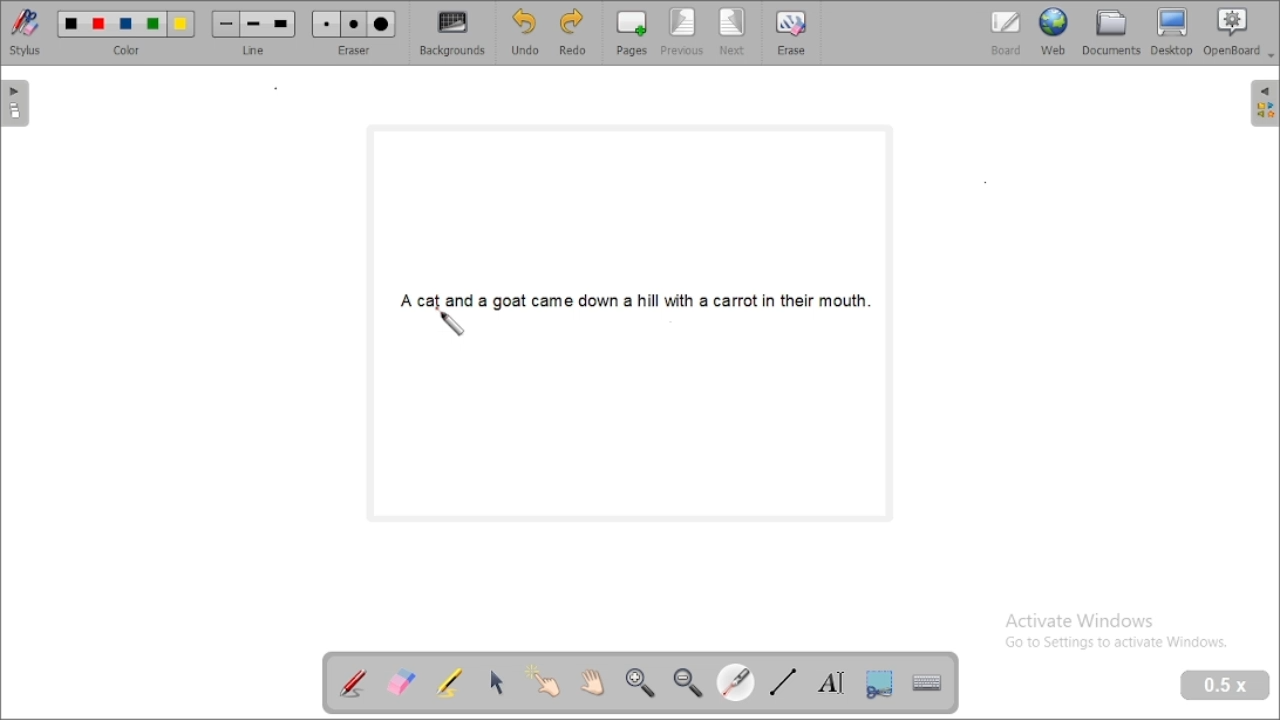 The width and height of the screenshot is (1280, 720). I want to click on zoom out, so click(688, 684).